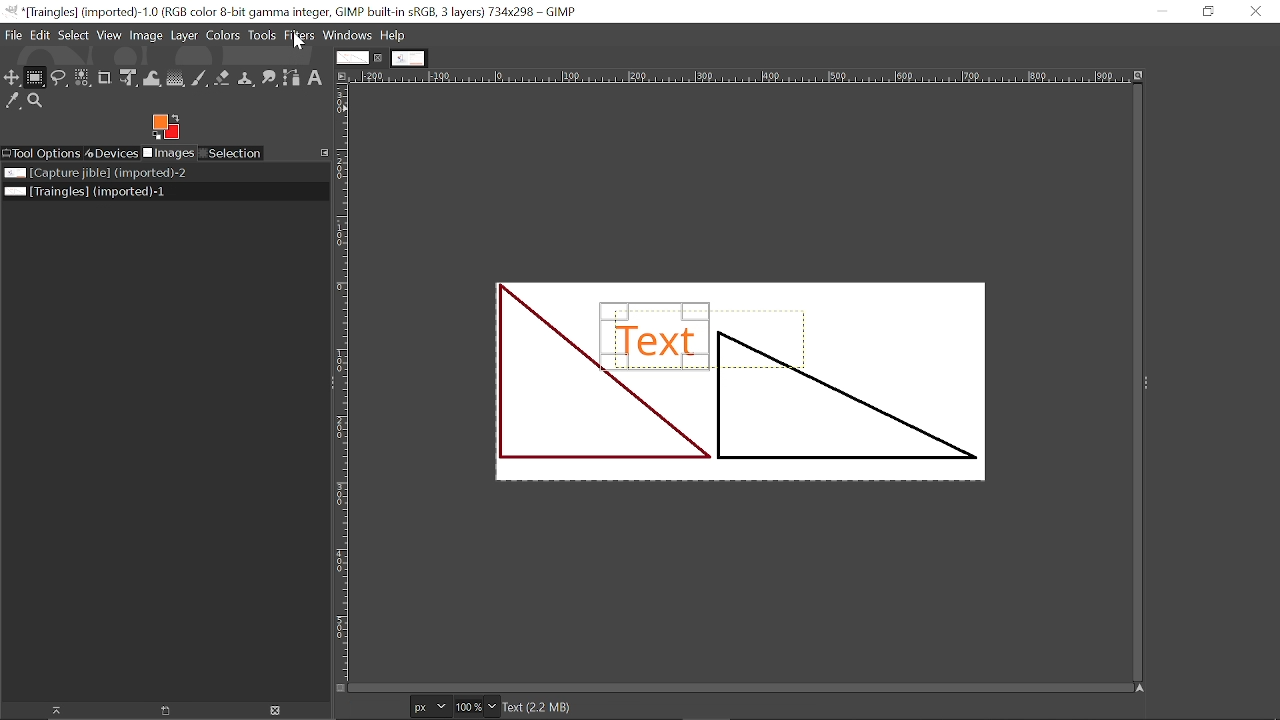 The width and height of the screenshot is (1280, 720). What do you see at coordinates (270, 80) in the screenshot?
I see `Smudge tool` at bounding box center [270, 80].